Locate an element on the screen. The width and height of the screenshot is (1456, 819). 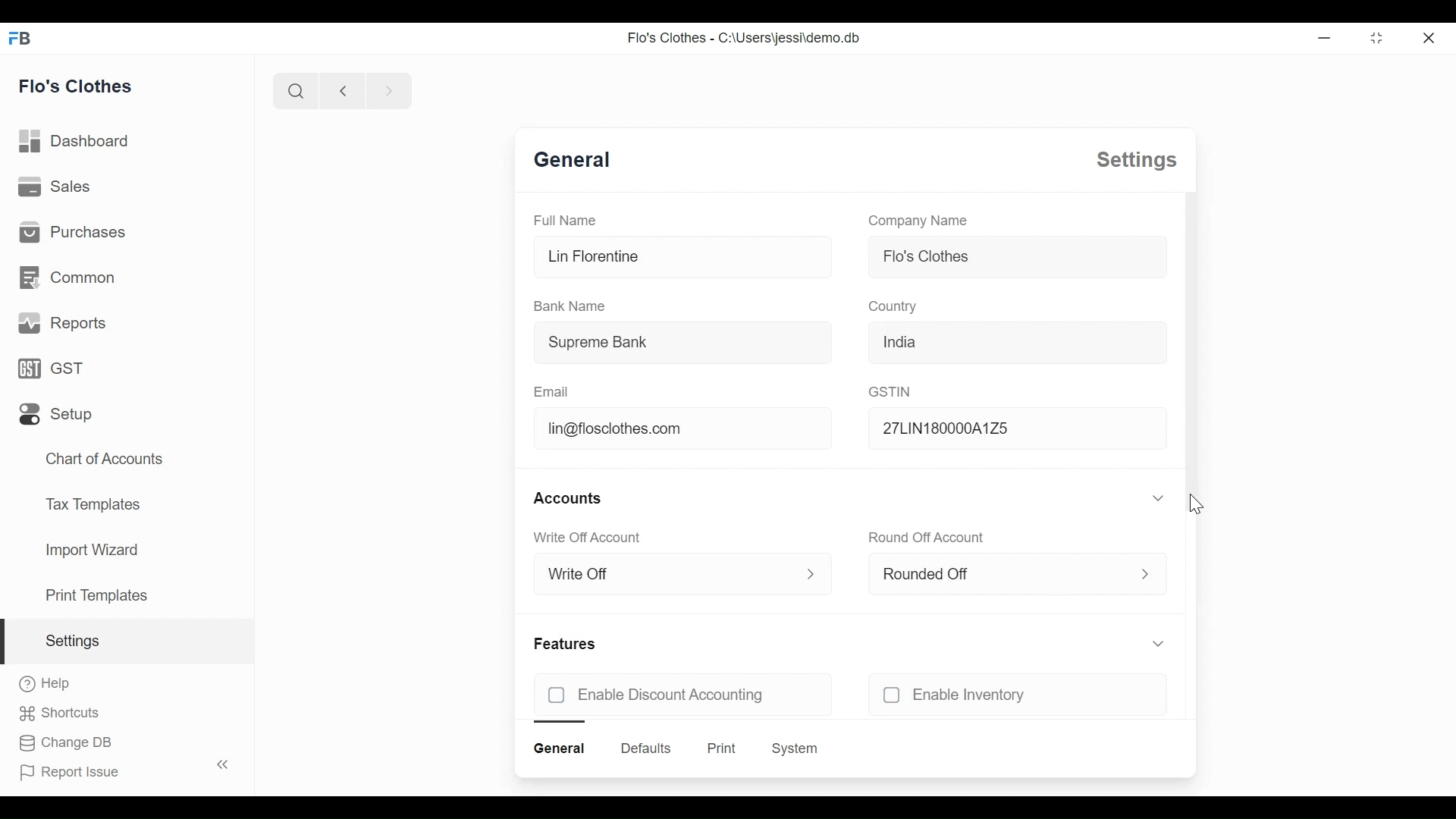
Restore is located at coordinates (1376, 37).